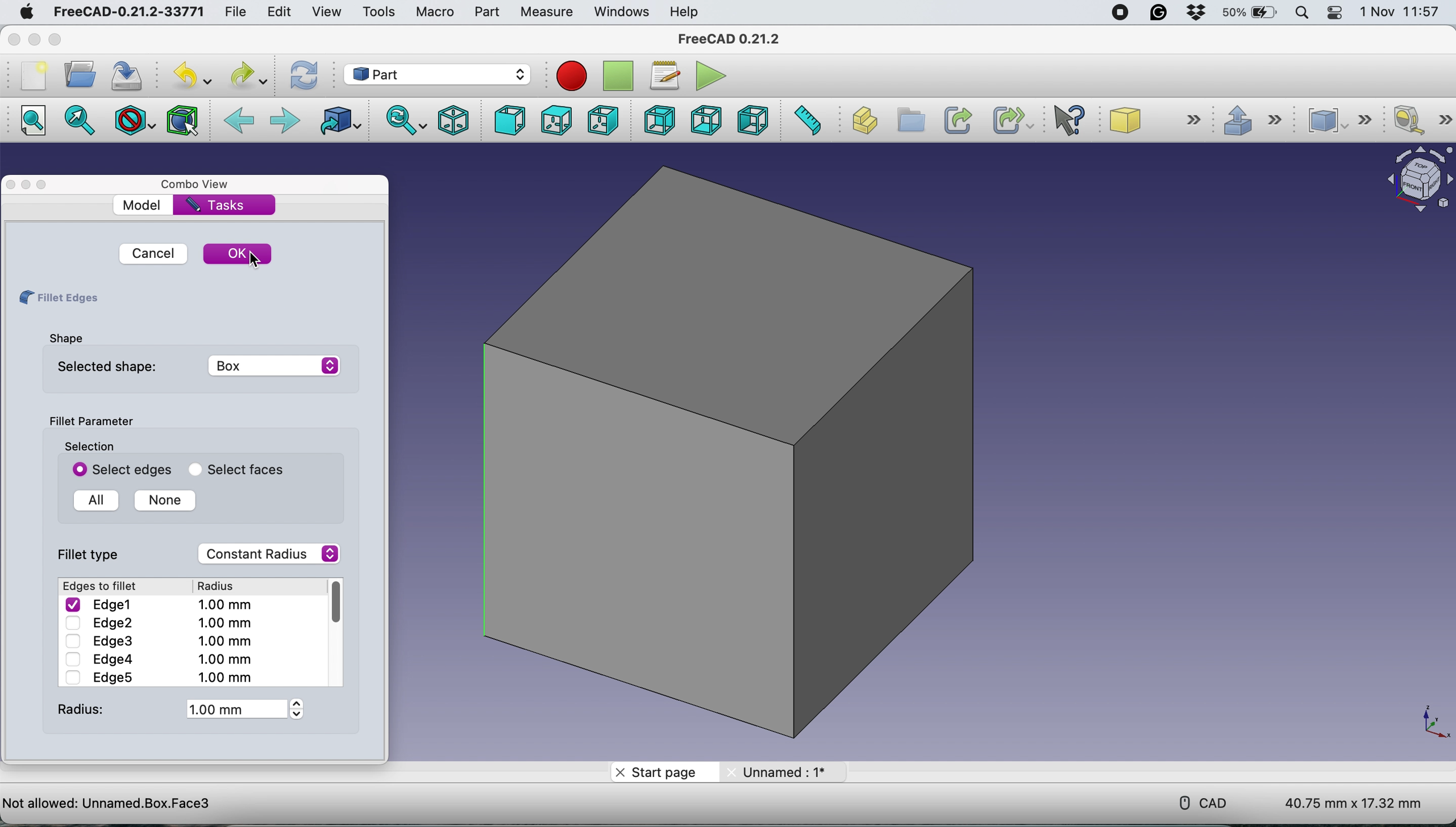  Describe the element at coordinates (620, 11) in the screenshot. I see `windows` at that location.